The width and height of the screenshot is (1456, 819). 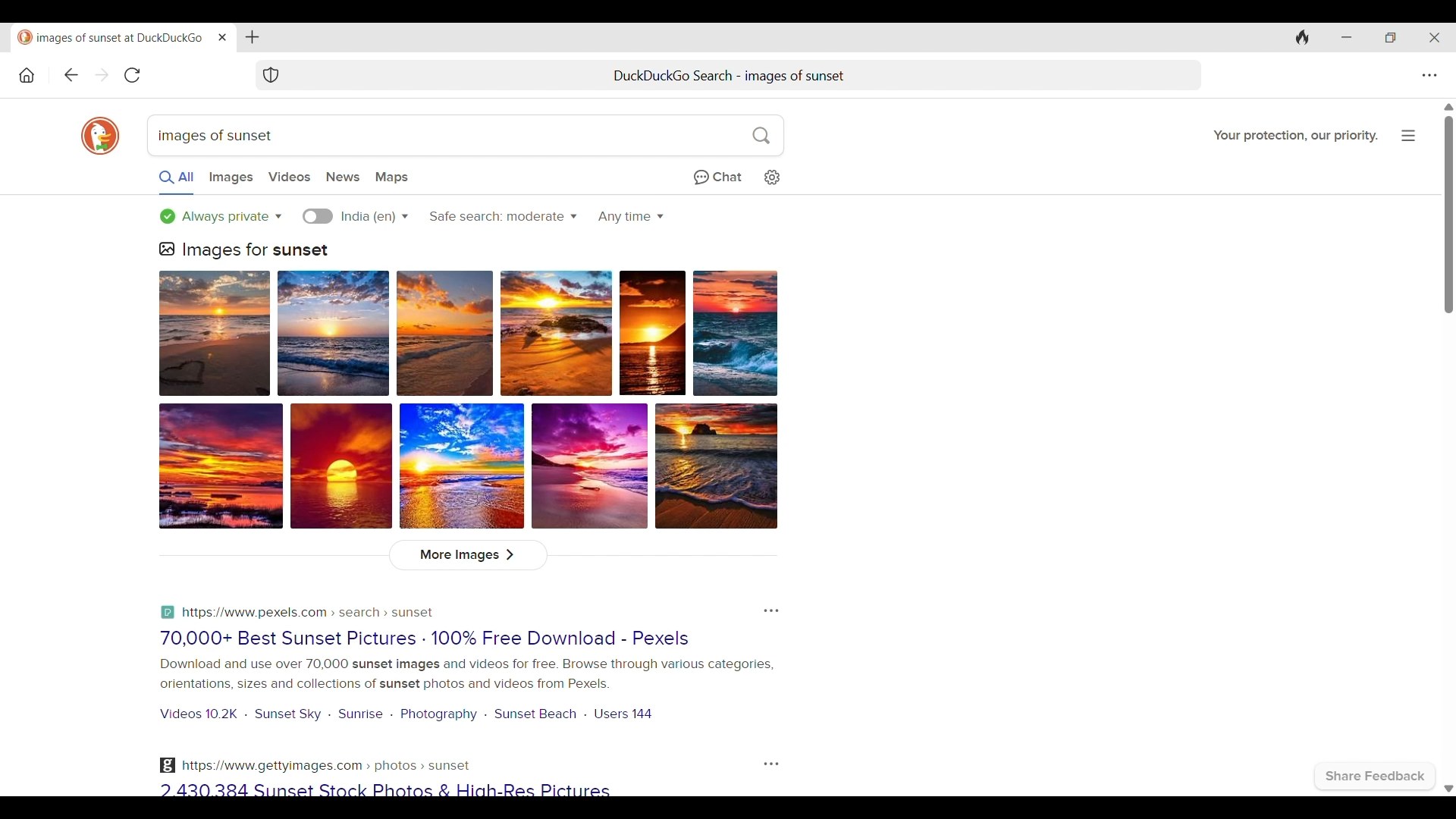 I want to click on Type in search query, so click(x=463, y=136).